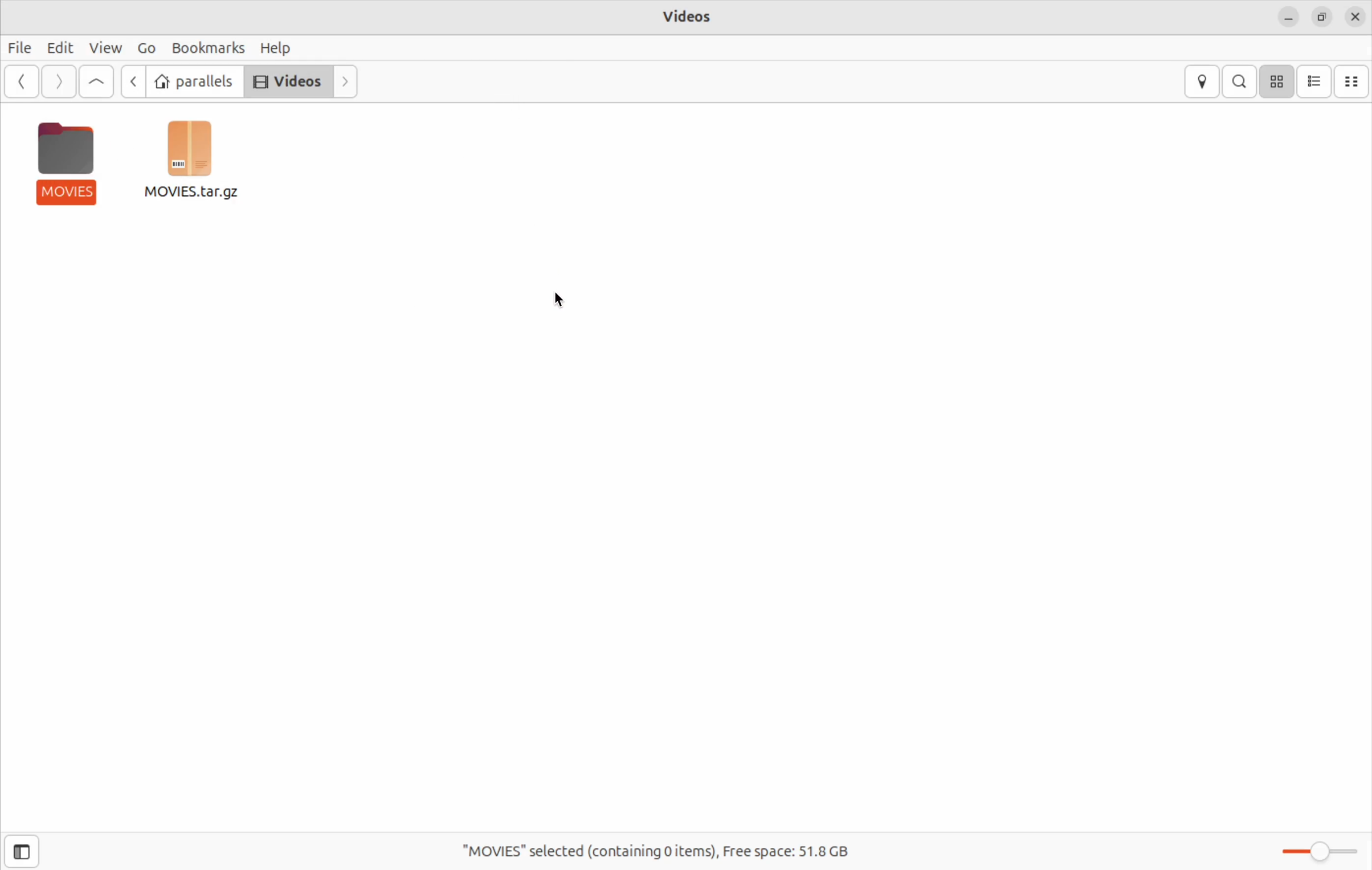 This screenshot has height=870, width=1372. What do you see at coordinates (347, 80) in the screenshot?
I see `next` at bounding box center [347, 80].